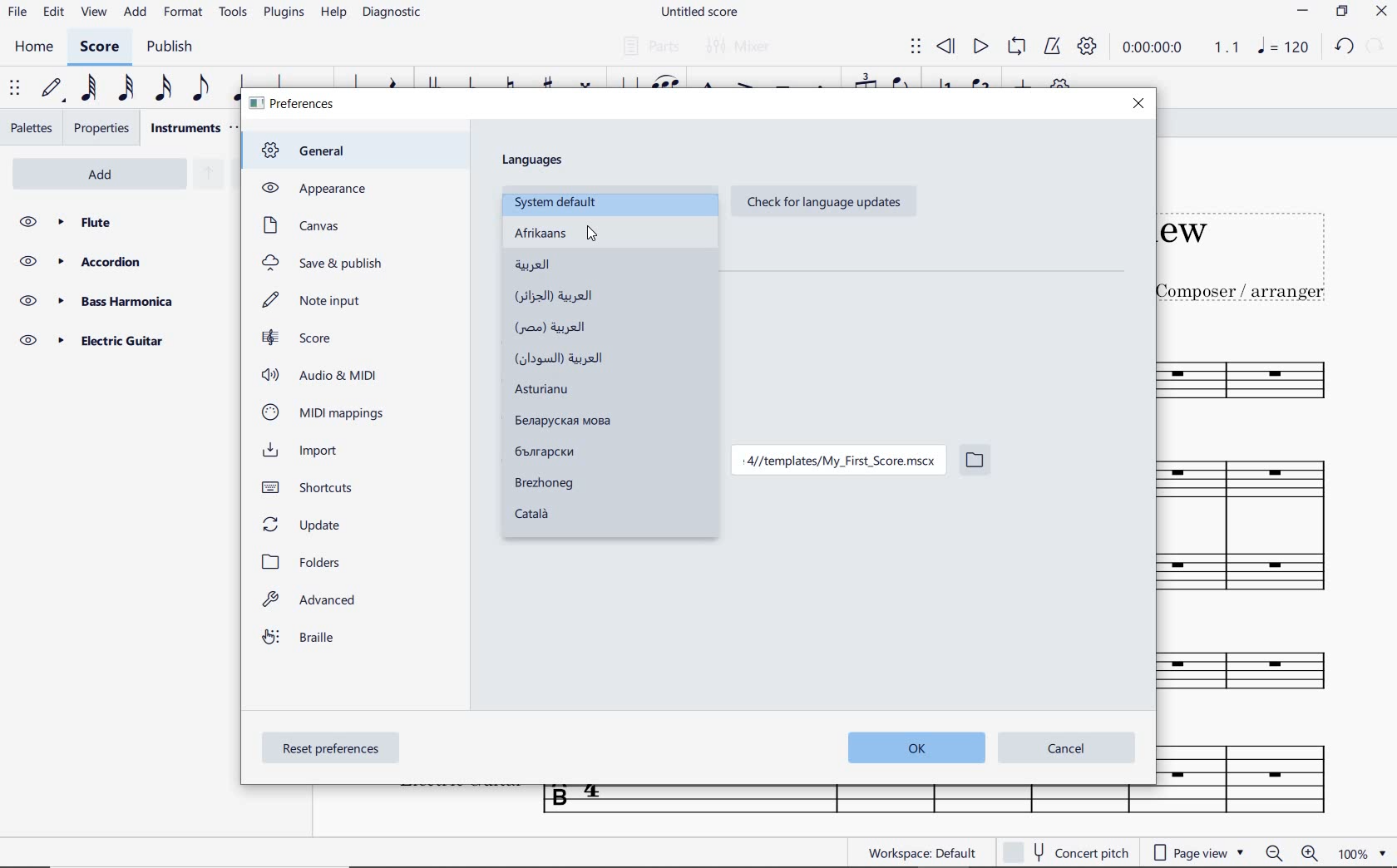 This screenshot has height=868, width=1397. What do you see at coordinates (1197, 852) in the screenshot?
I see `page view` at bounding box center [1197, 852].